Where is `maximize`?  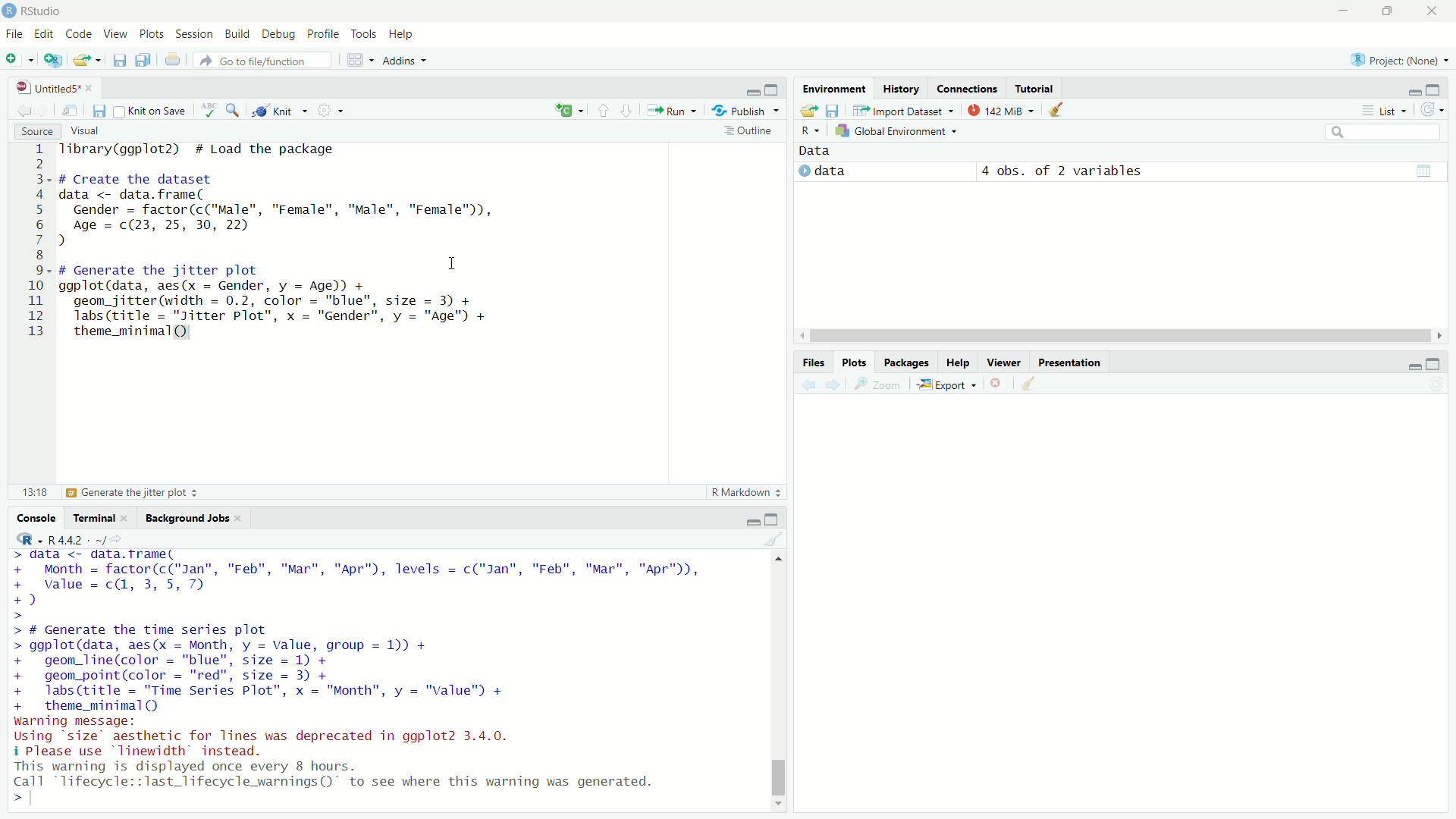 maximize is located at coordinates (1442, 89).